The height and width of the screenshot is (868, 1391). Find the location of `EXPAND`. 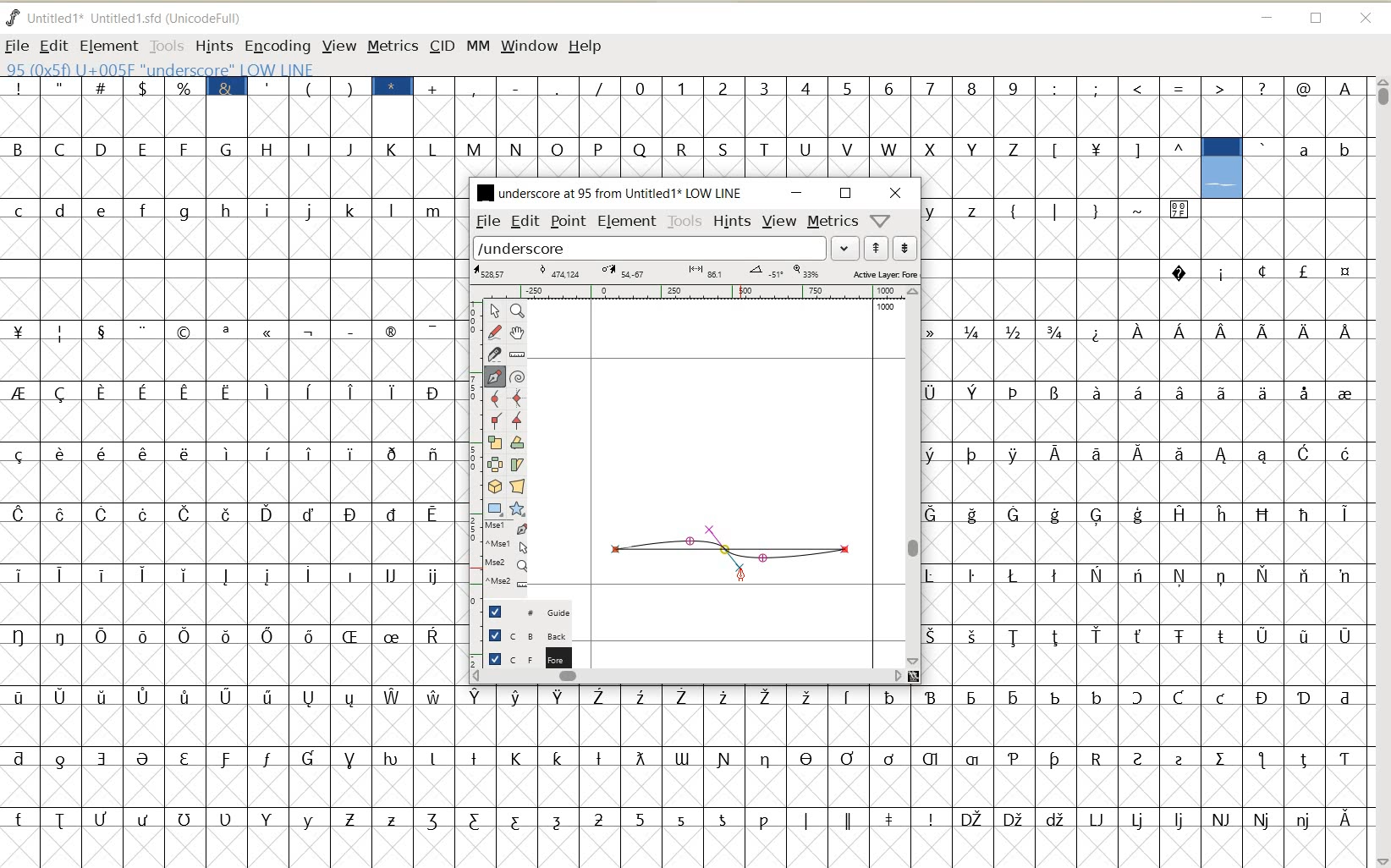

EXPAND is located at coordinates (846, 249).